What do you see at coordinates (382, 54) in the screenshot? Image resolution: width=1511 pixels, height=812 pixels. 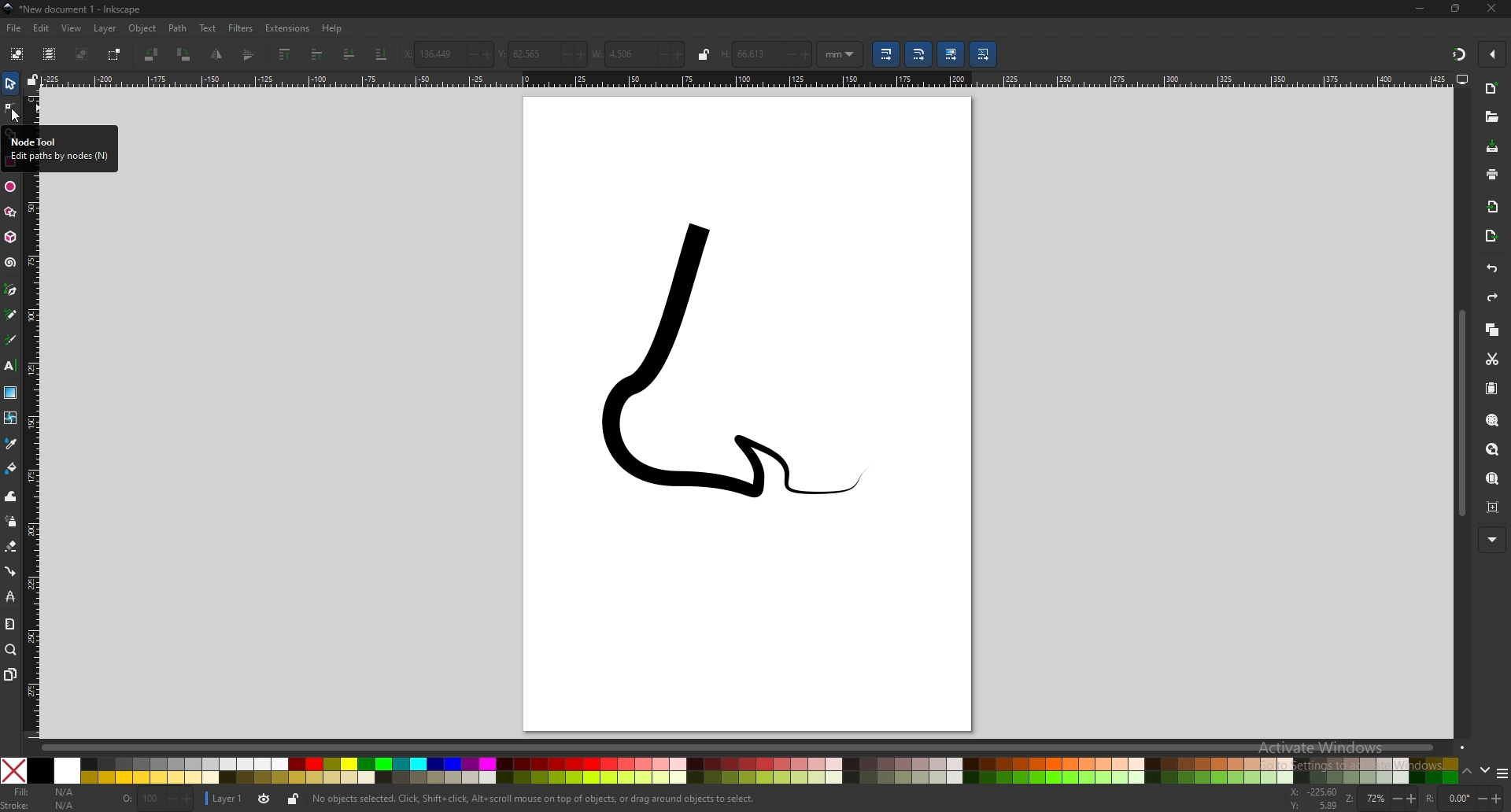 I see `lower selection to bottom` at bounding box center [382, 54].